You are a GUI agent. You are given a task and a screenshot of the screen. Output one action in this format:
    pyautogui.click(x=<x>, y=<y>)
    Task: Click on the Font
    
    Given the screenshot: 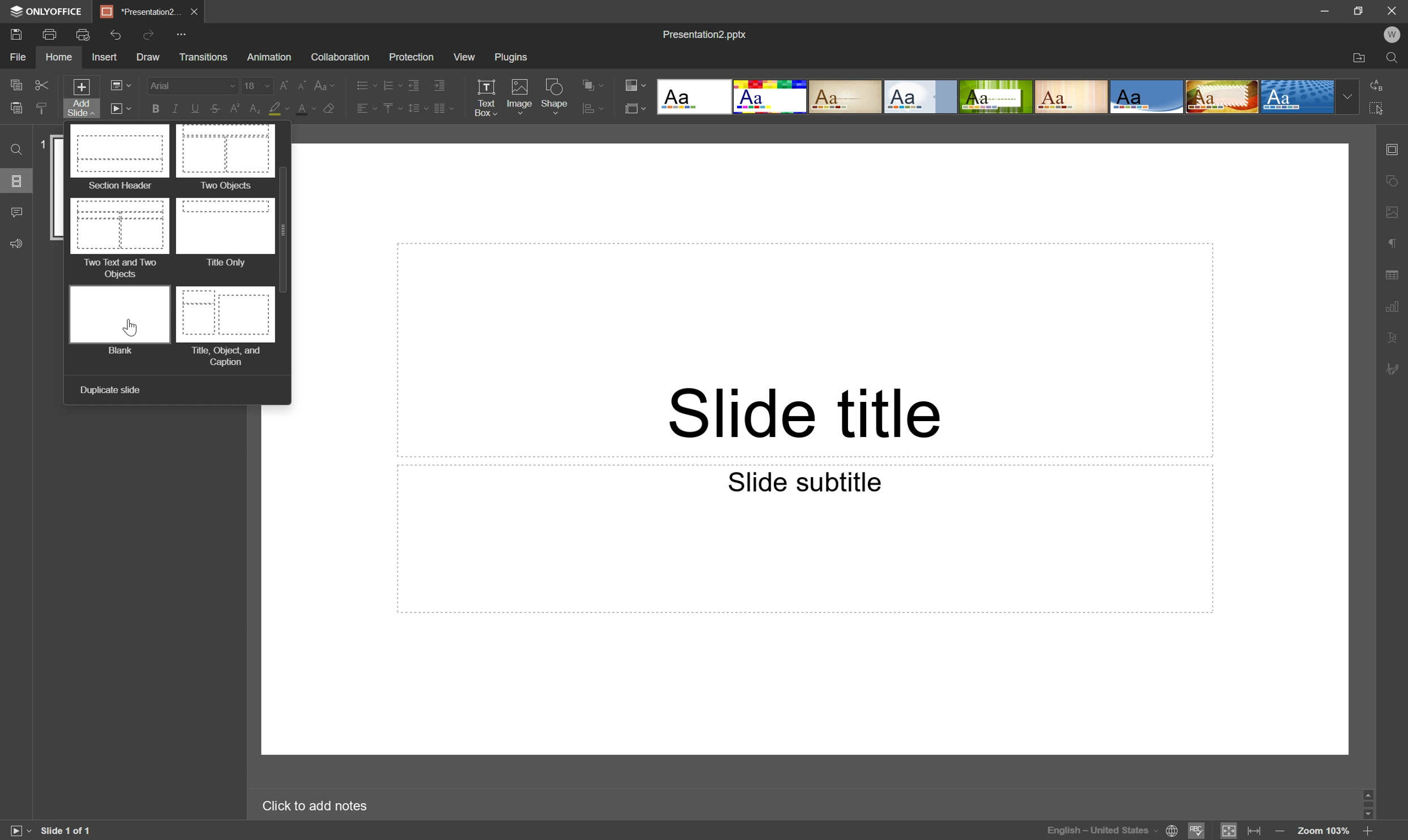 What is the action you would take?
    pyautogui.click(x=191, y=85)
    